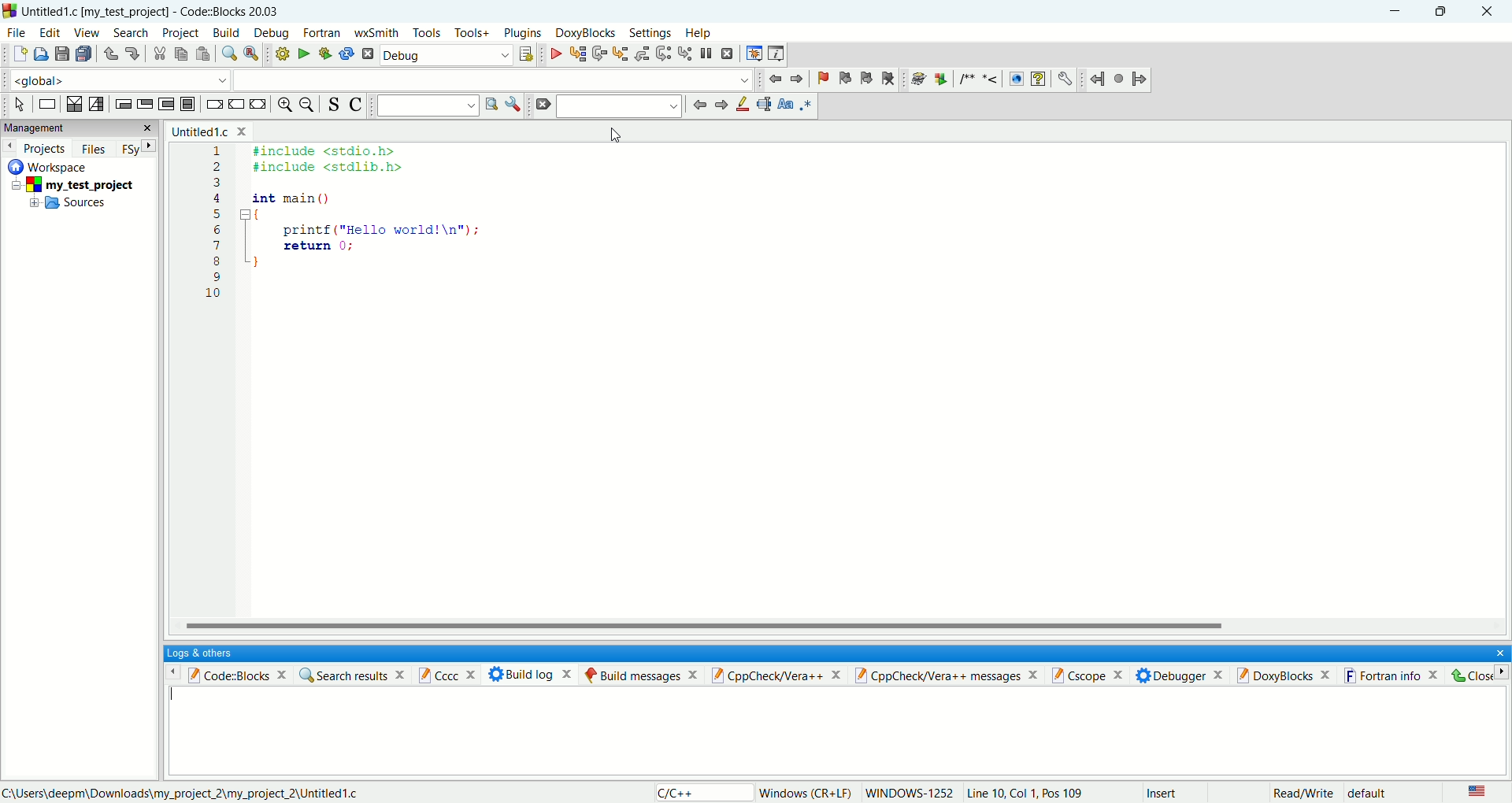 This screenshot has height=803, width=1512. Describe the element at coordinates (1100, 80) in the screenshot. I see `next jump` at that location.